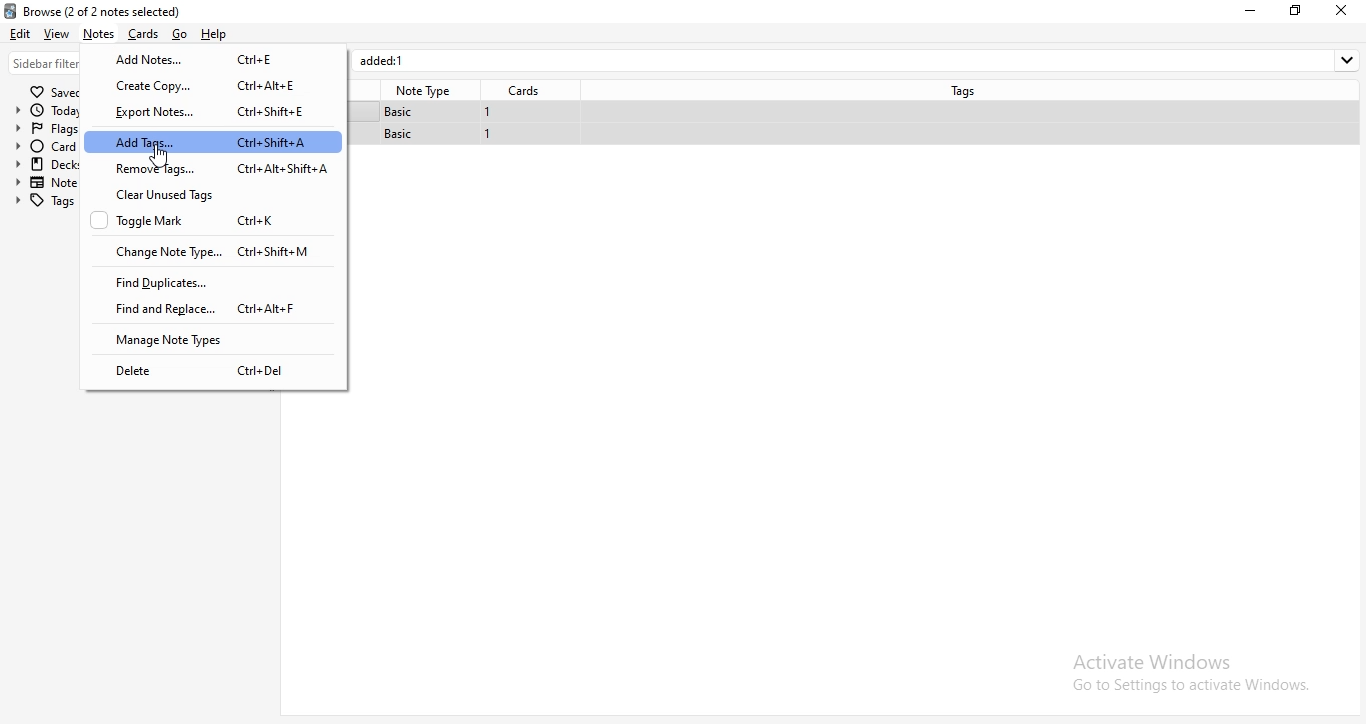  Describe the element at coordinates (488, 112) in the screenshot. I see `1` at that location.